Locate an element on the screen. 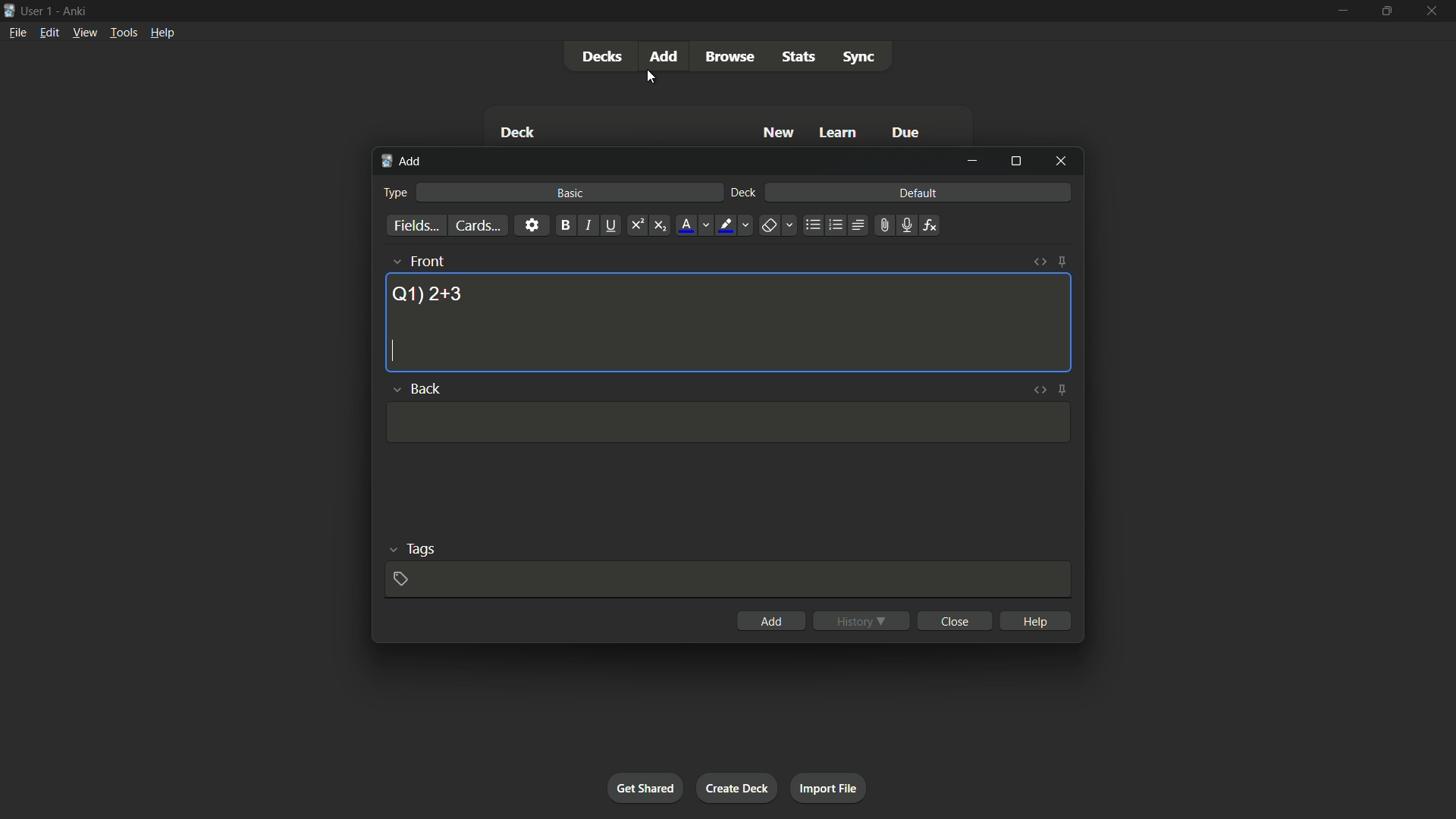 The width and height of the screenshot is (1456, 819). due is located at coordinates (906, 134).